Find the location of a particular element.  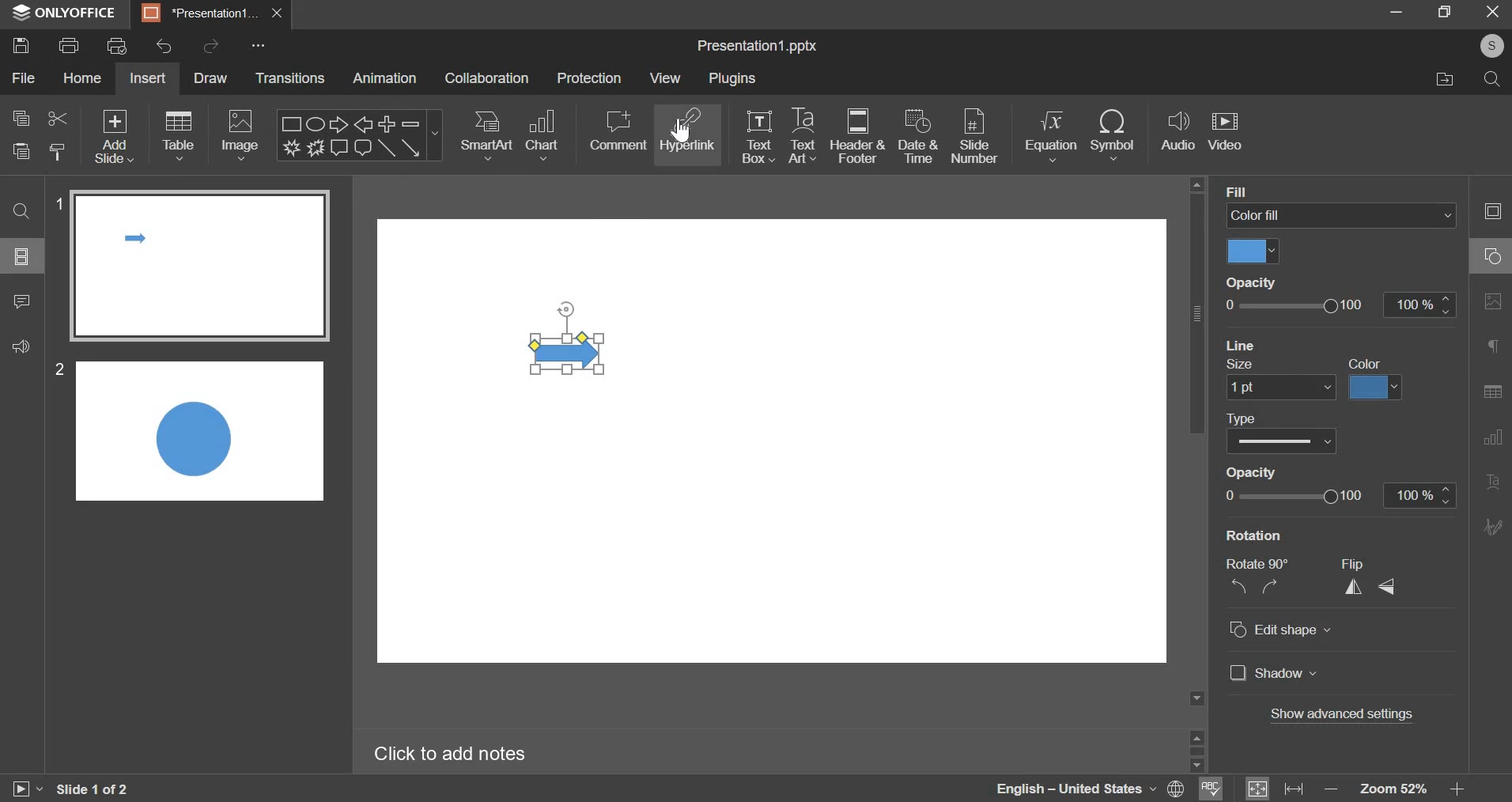

increase zoom is located at coordinates (1457, 788).